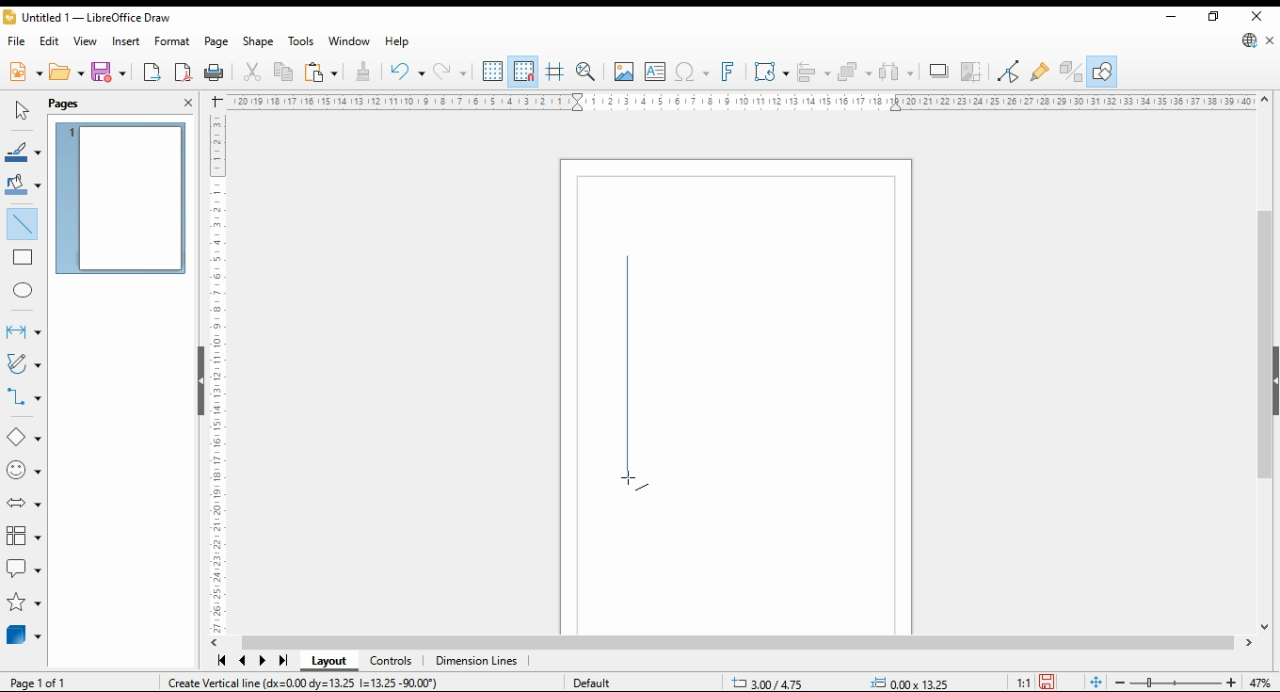 This screenshot has width=1280, height=692. I want to click on insert line, so click(26, 227).